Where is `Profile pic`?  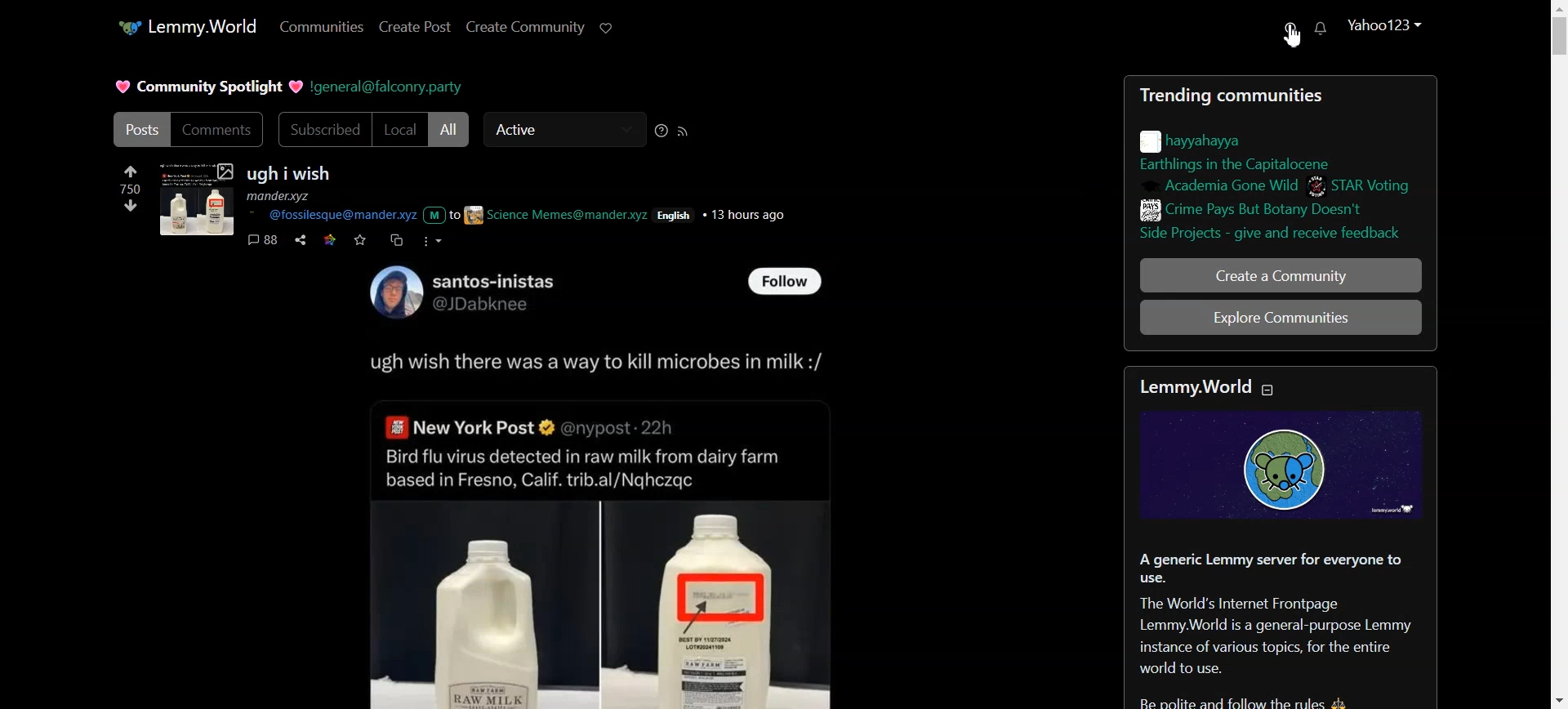 Profile pic is located at coordinates (196, 198).